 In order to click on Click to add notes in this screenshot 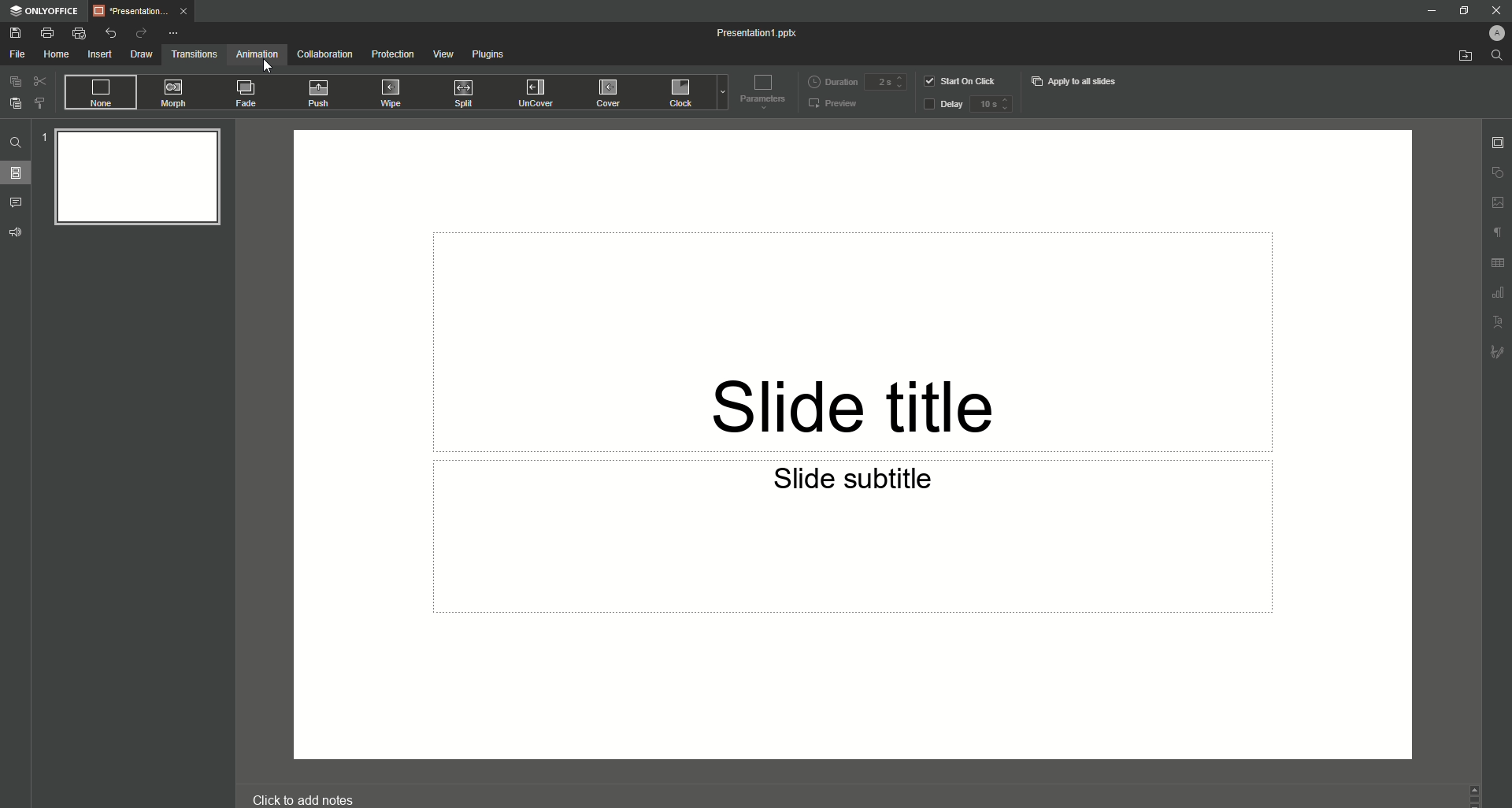, I will do `click(301, 796)`.